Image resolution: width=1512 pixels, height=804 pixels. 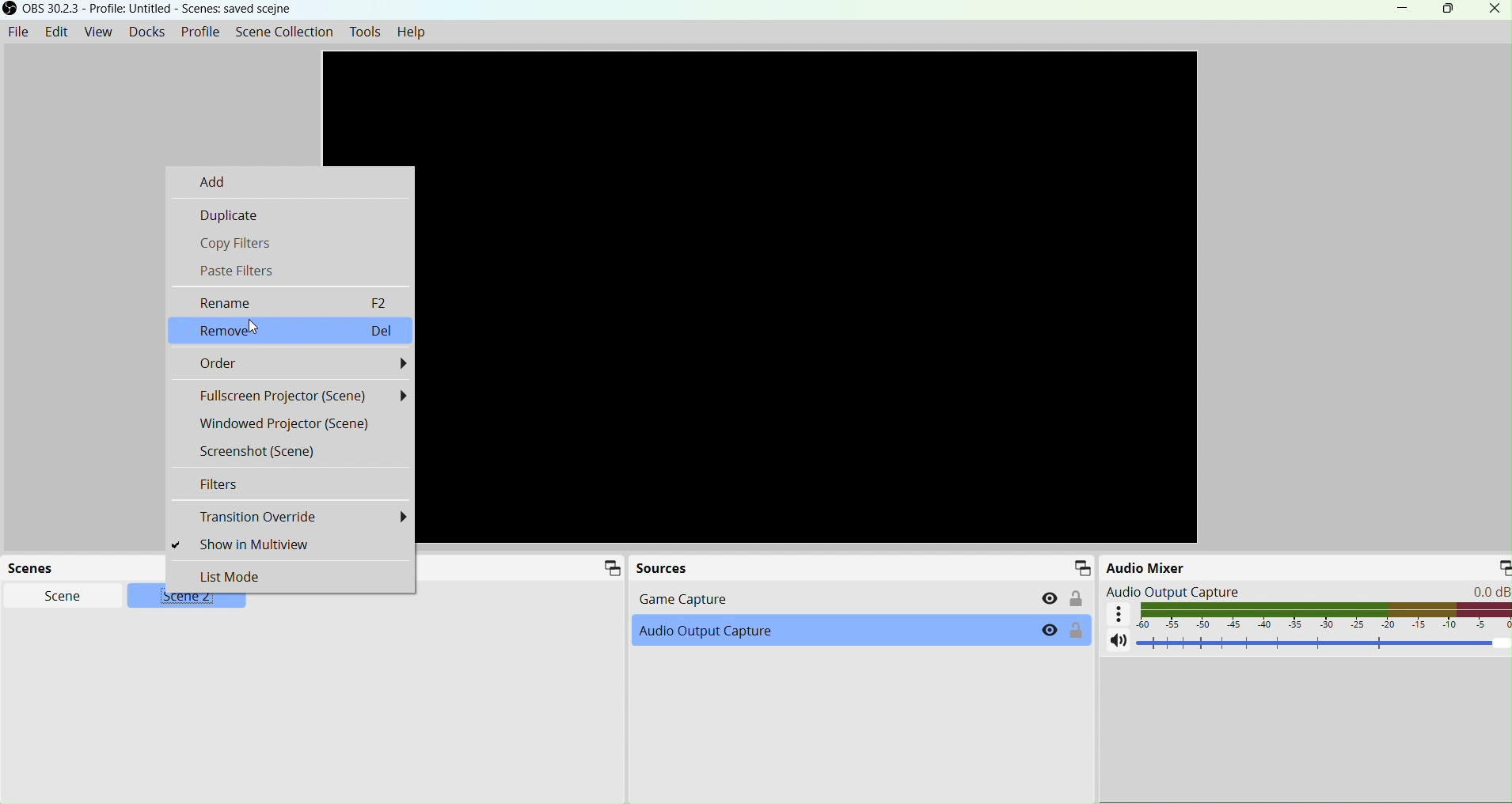 I want to click on Paste Filters, so click(x=291, y=270).